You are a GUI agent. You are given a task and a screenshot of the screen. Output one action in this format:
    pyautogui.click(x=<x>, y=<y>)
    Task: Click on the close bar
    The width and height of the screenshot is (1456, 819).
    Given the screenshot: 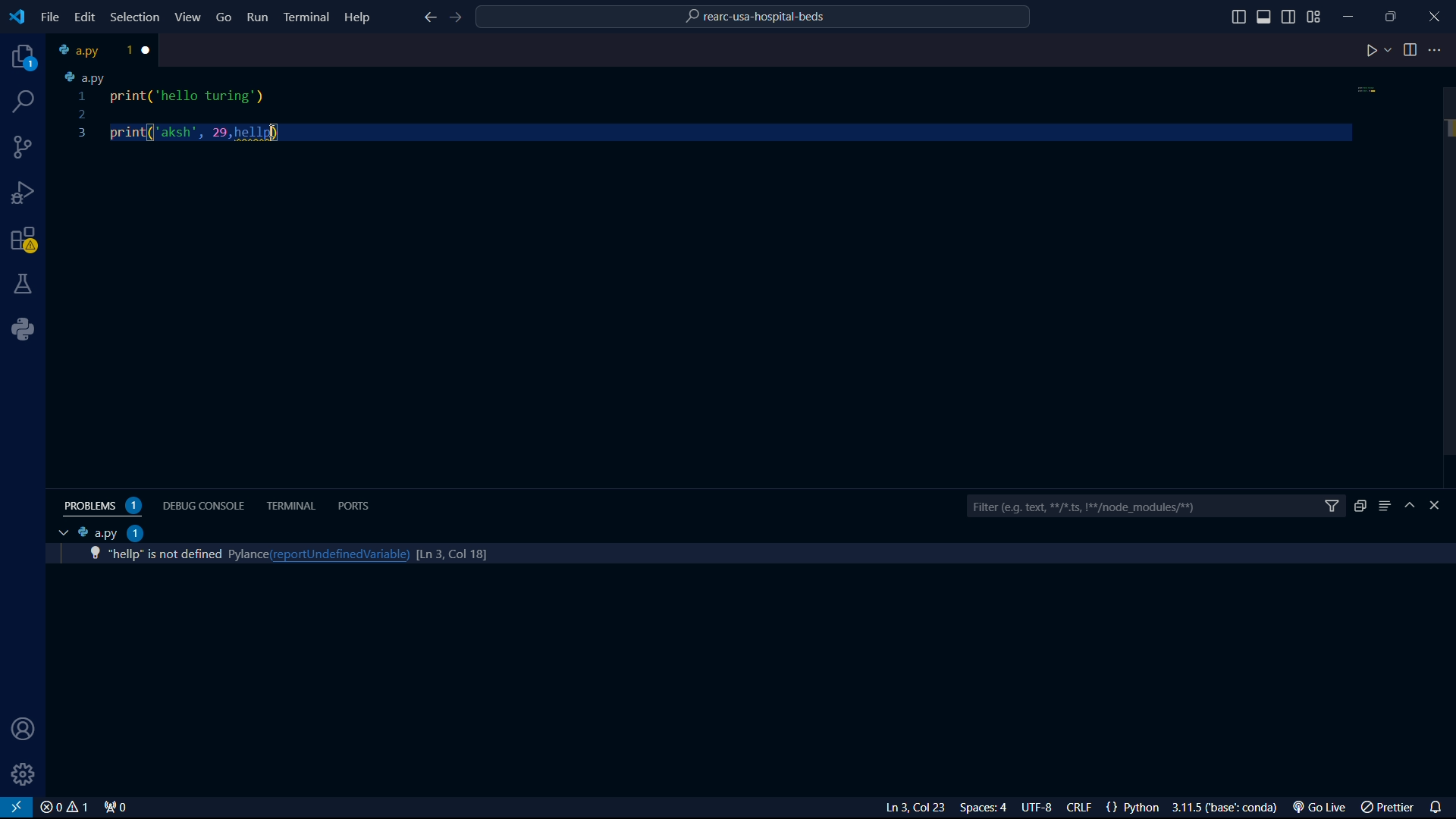 What is the action you would take?
    pyautogui.click(x=1442, y=506)
    